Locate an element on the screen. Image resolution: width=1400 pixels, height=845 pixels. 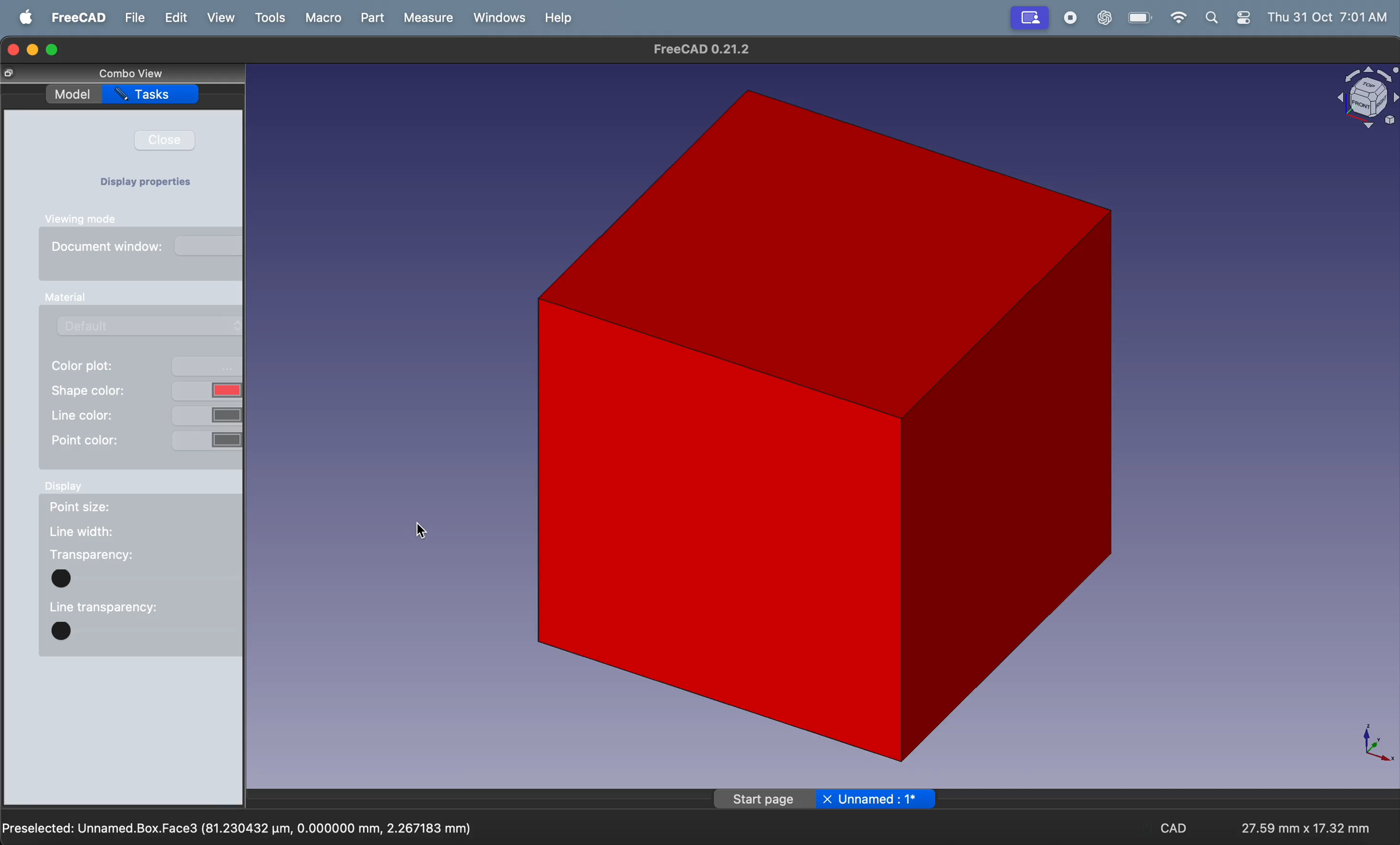
cursor is located at coordinates (414, 536).